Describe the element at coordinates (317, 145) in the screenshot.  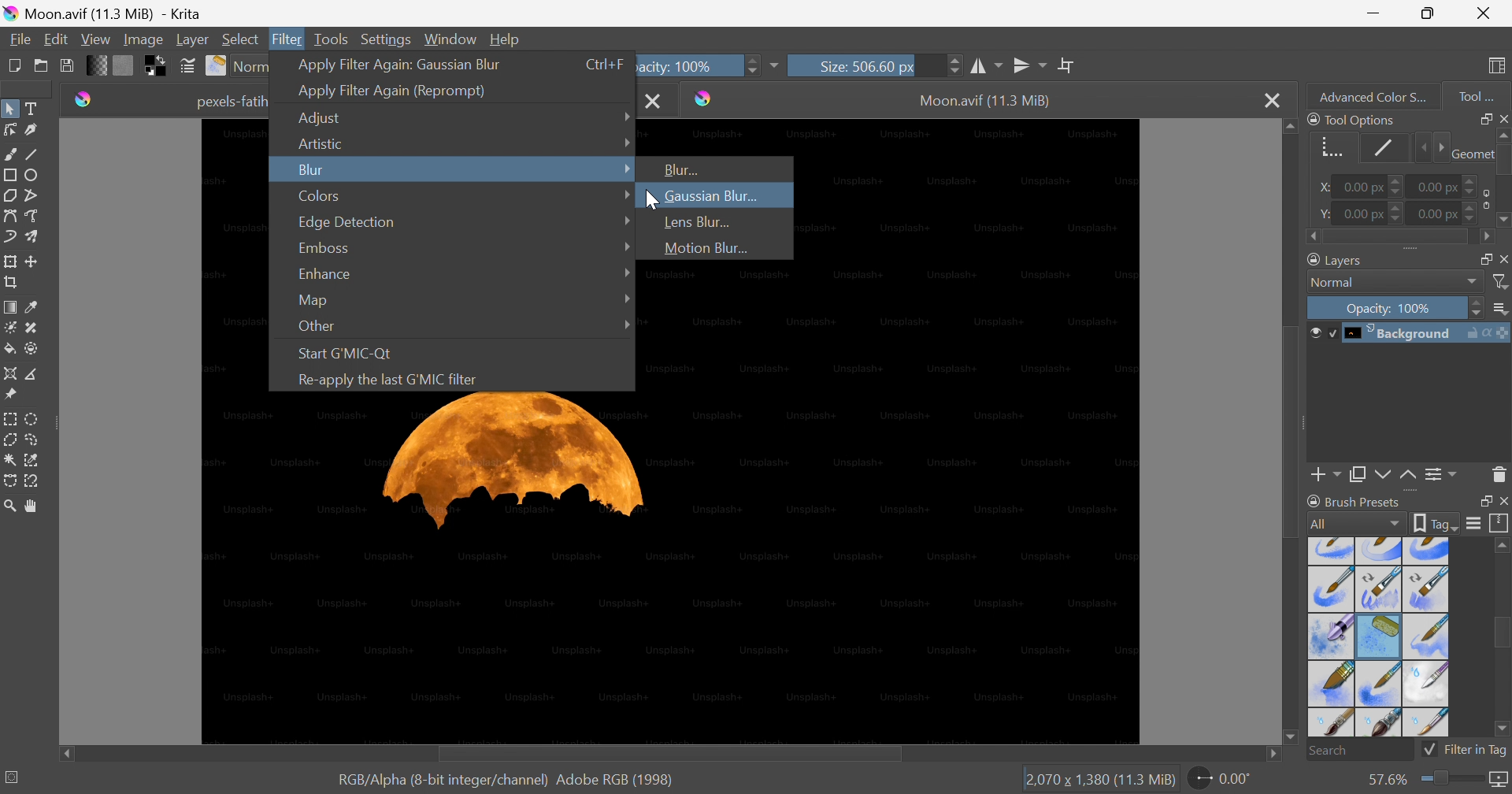
I see `Artistic` at that location.